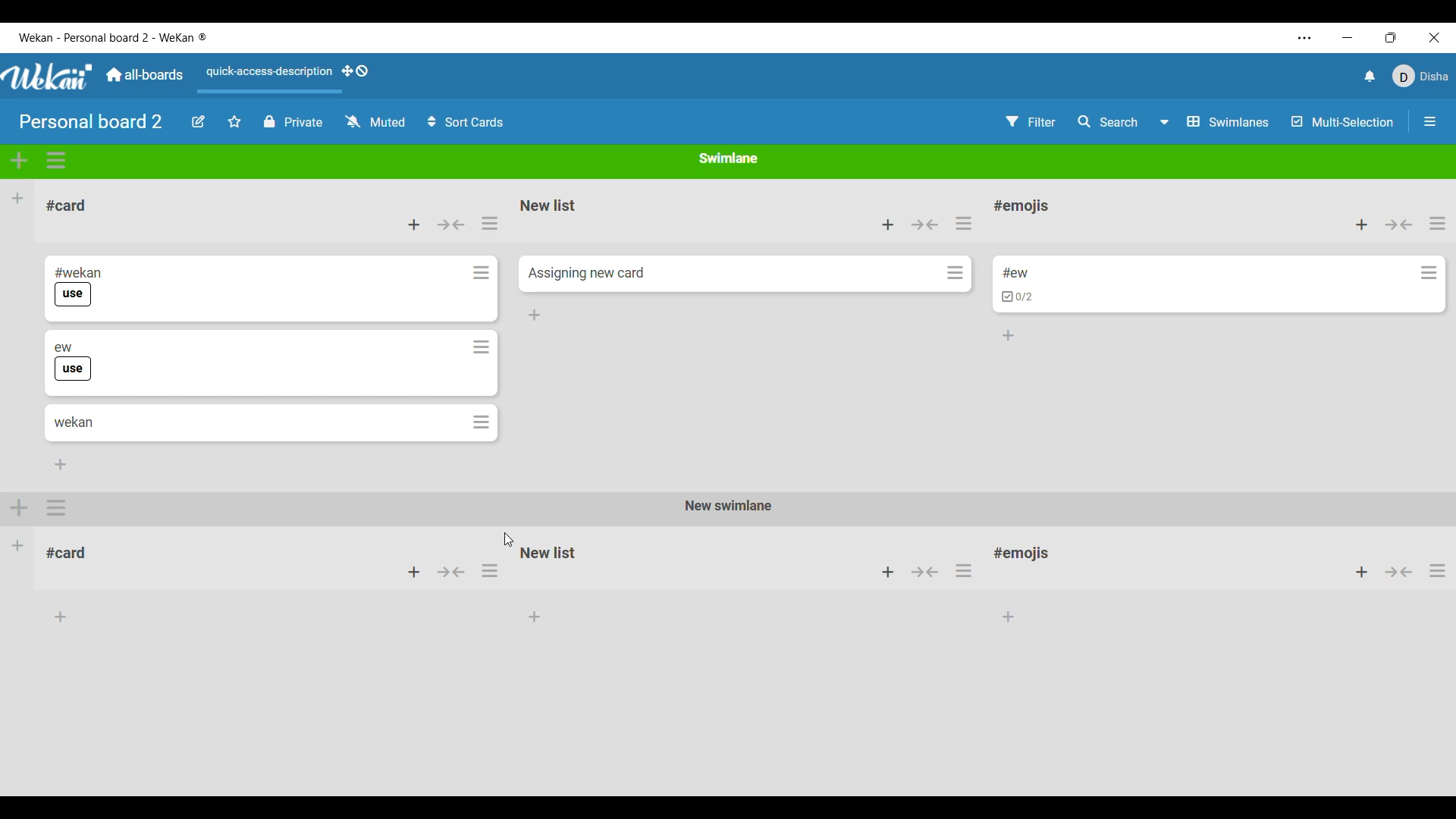  What do you see at coordinates (17, 198) in the screenshot?
I see `Add list` at bounding box center [17, 198].